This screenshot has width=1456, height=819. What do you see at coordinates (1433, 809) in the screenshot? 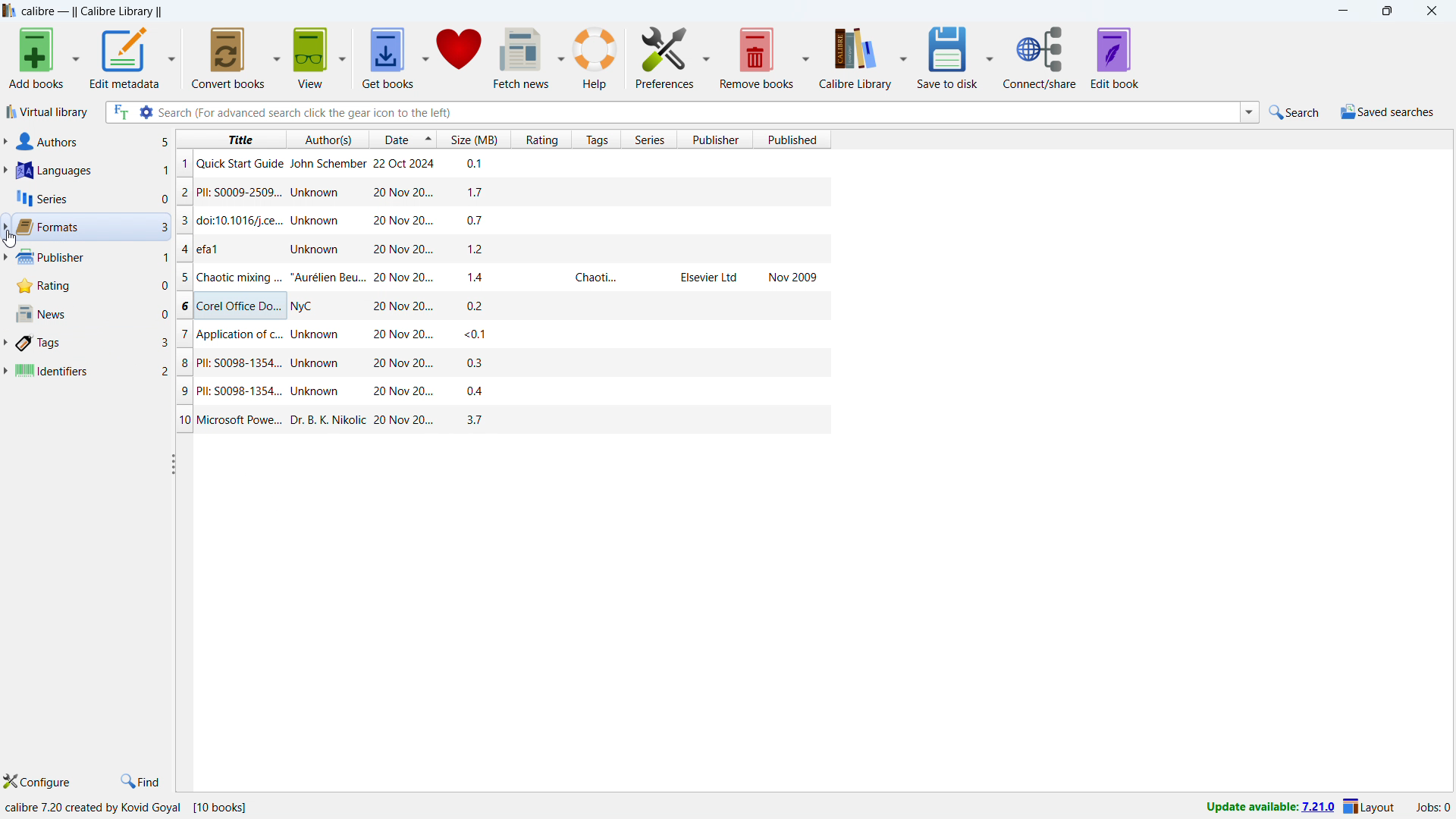
I see `active jobs` at bounding box center [1433, 809].